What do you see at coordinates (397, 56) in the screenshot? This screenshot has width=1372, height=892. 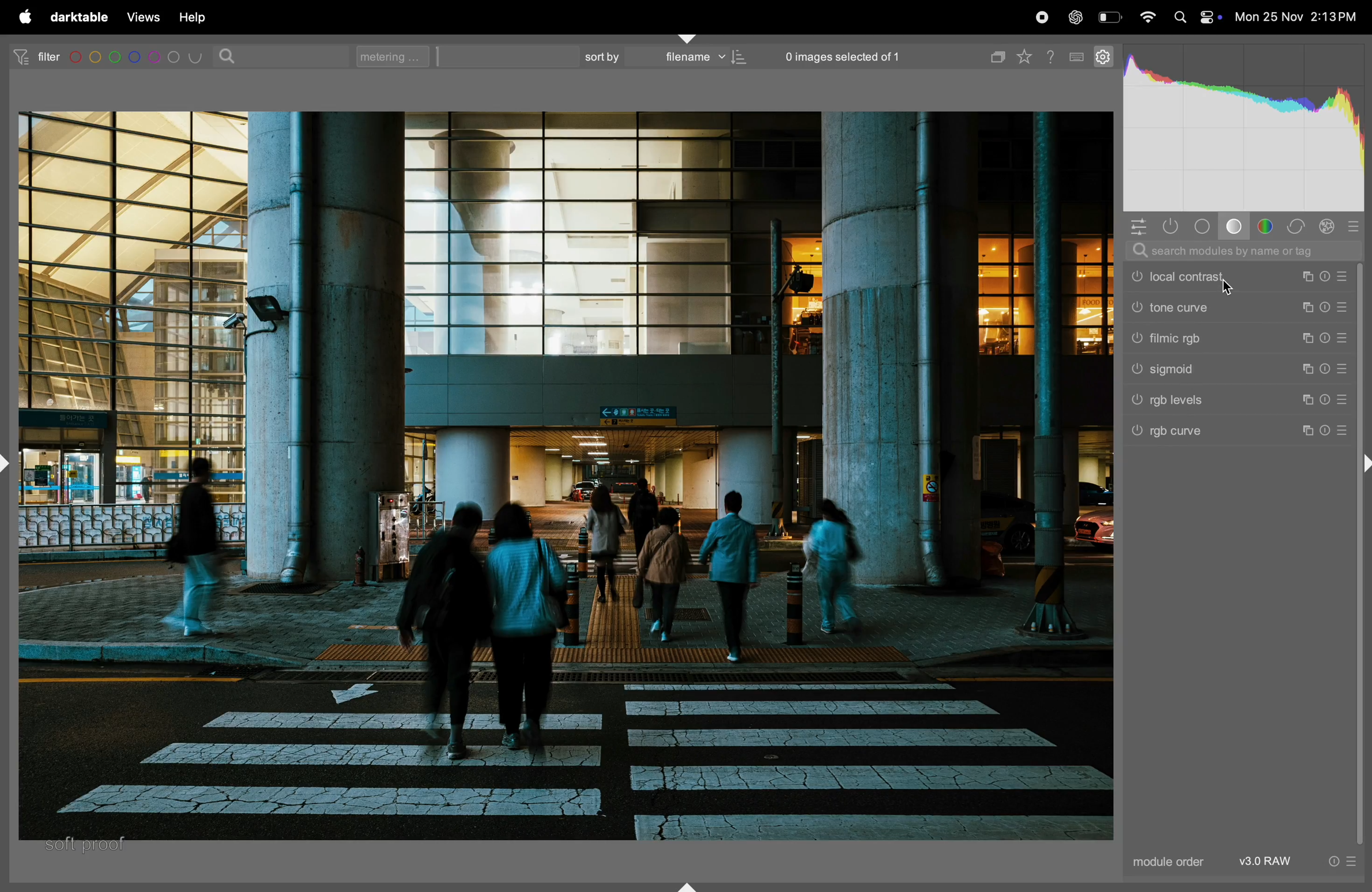 I see `metering` at bounding box center [397, 56].